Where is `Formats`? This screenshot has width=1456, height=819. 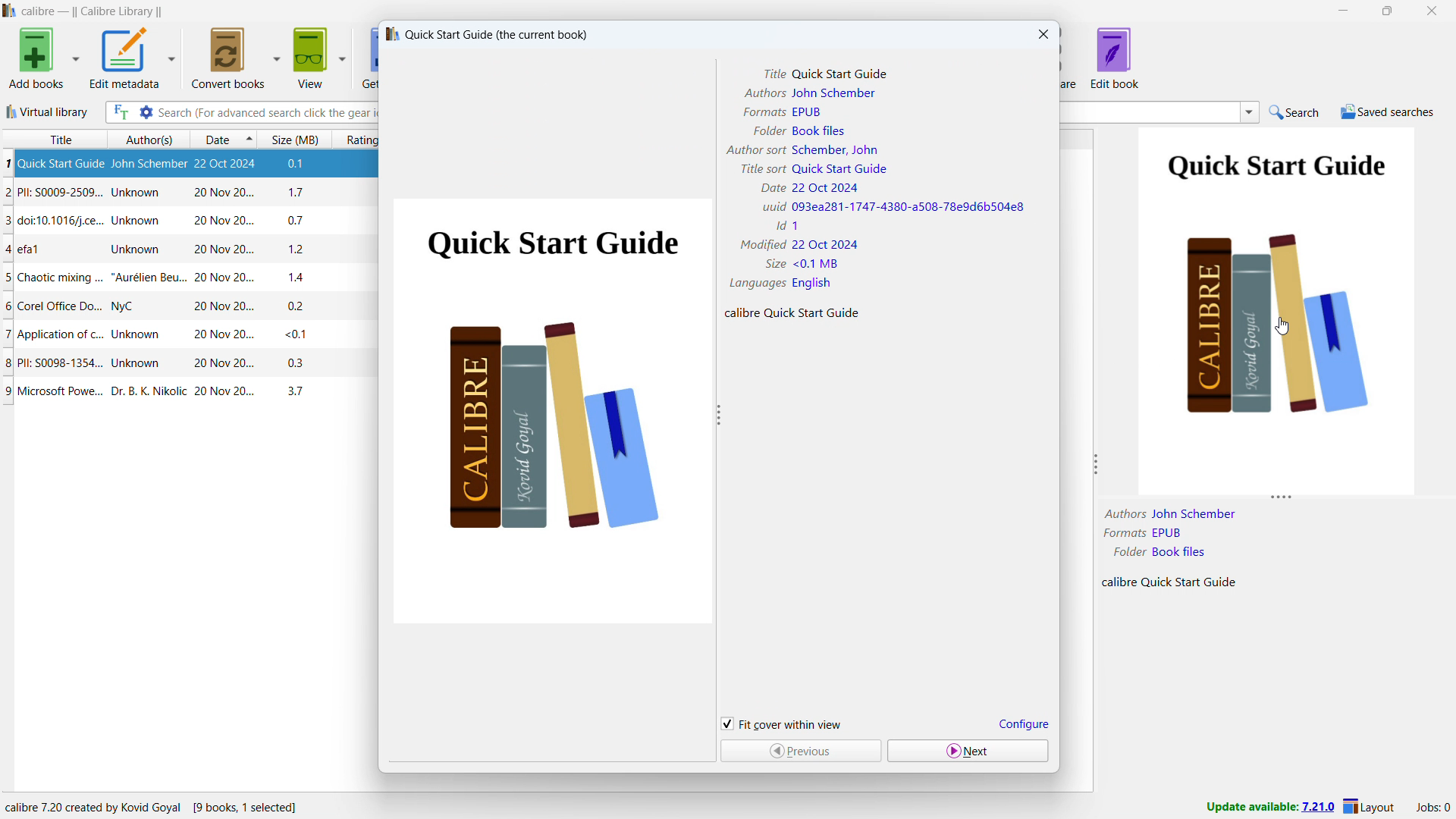
Formats is located at coordinates (1122, 534).